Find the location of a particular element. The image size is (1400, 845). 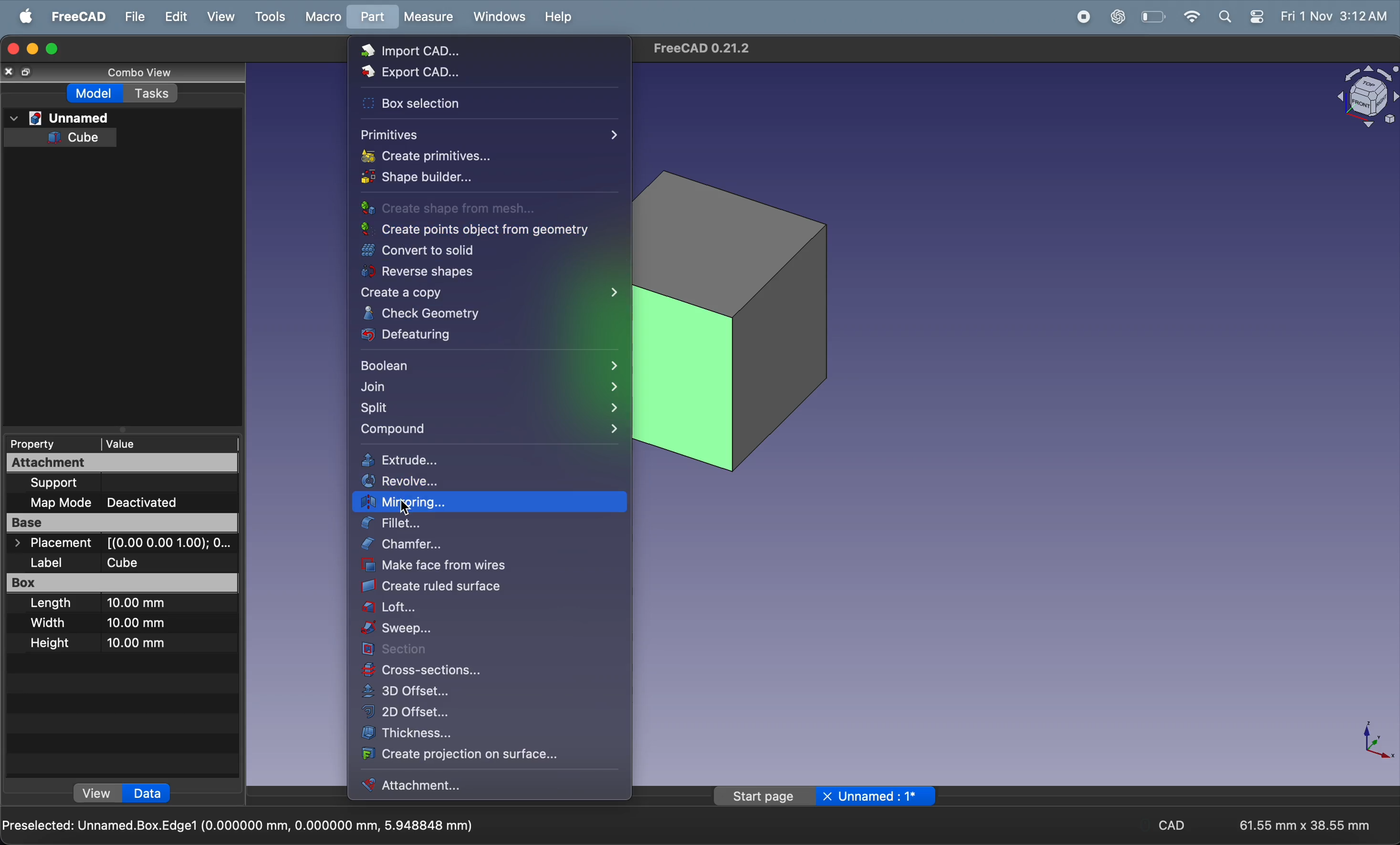

view  is located at coordinates (95, 791).